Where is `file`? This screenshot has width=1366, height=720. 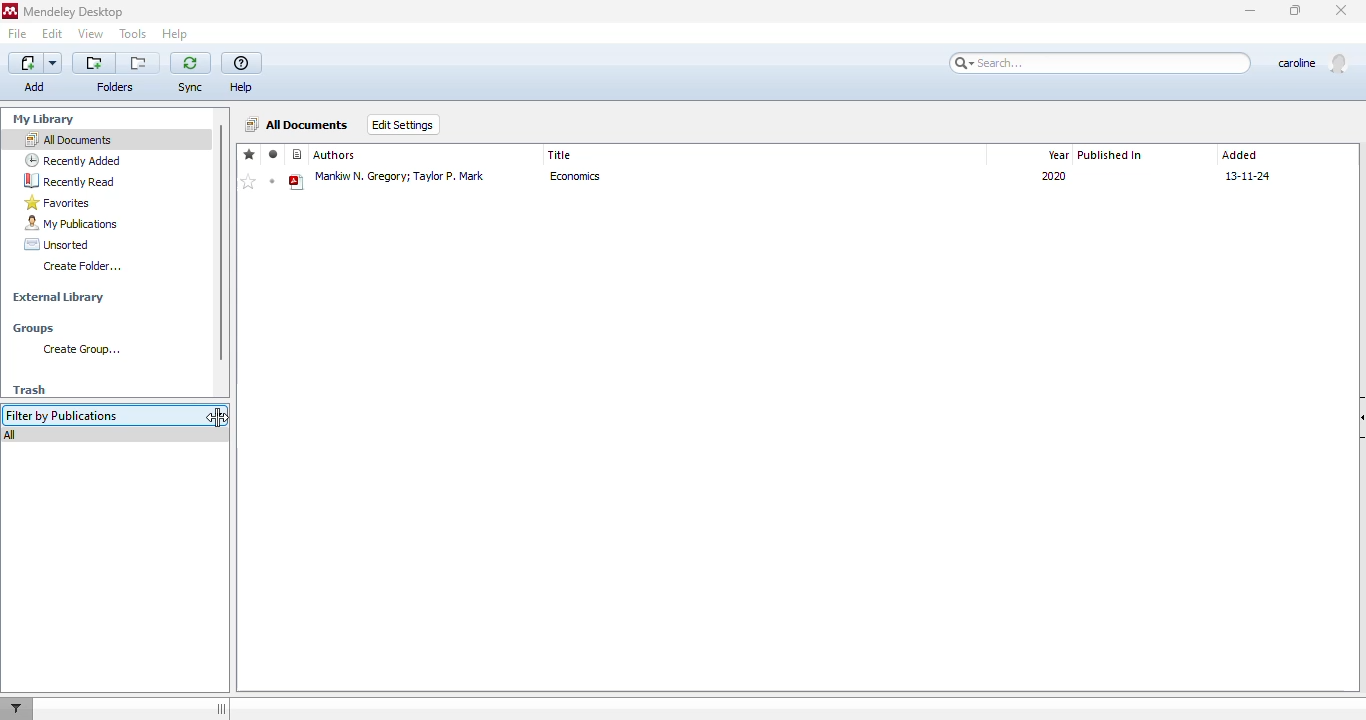
file is located at coordinates (18, 33).